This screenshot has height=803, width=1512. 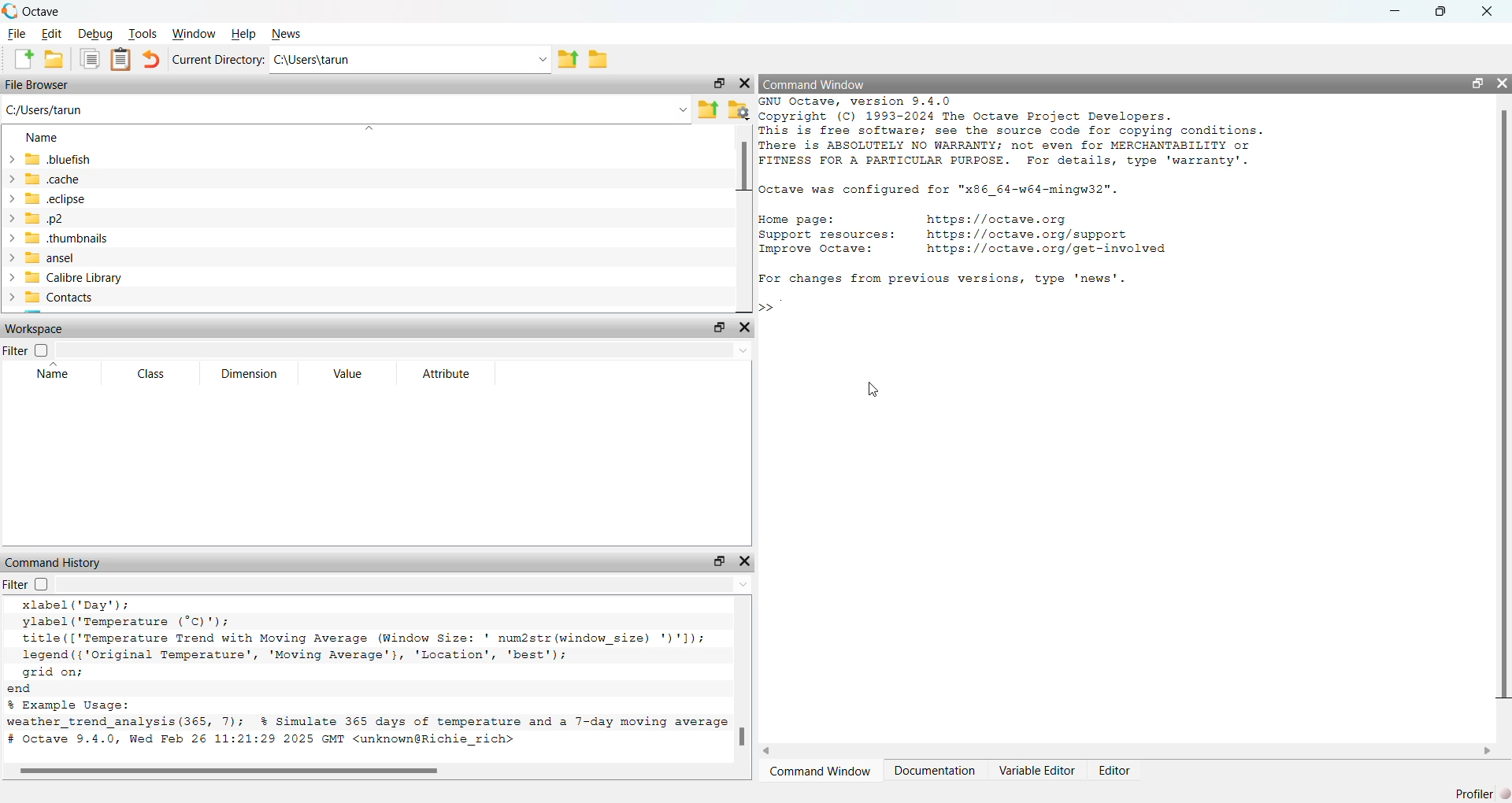 I want to click on cursor, so click(x=874, y=386).